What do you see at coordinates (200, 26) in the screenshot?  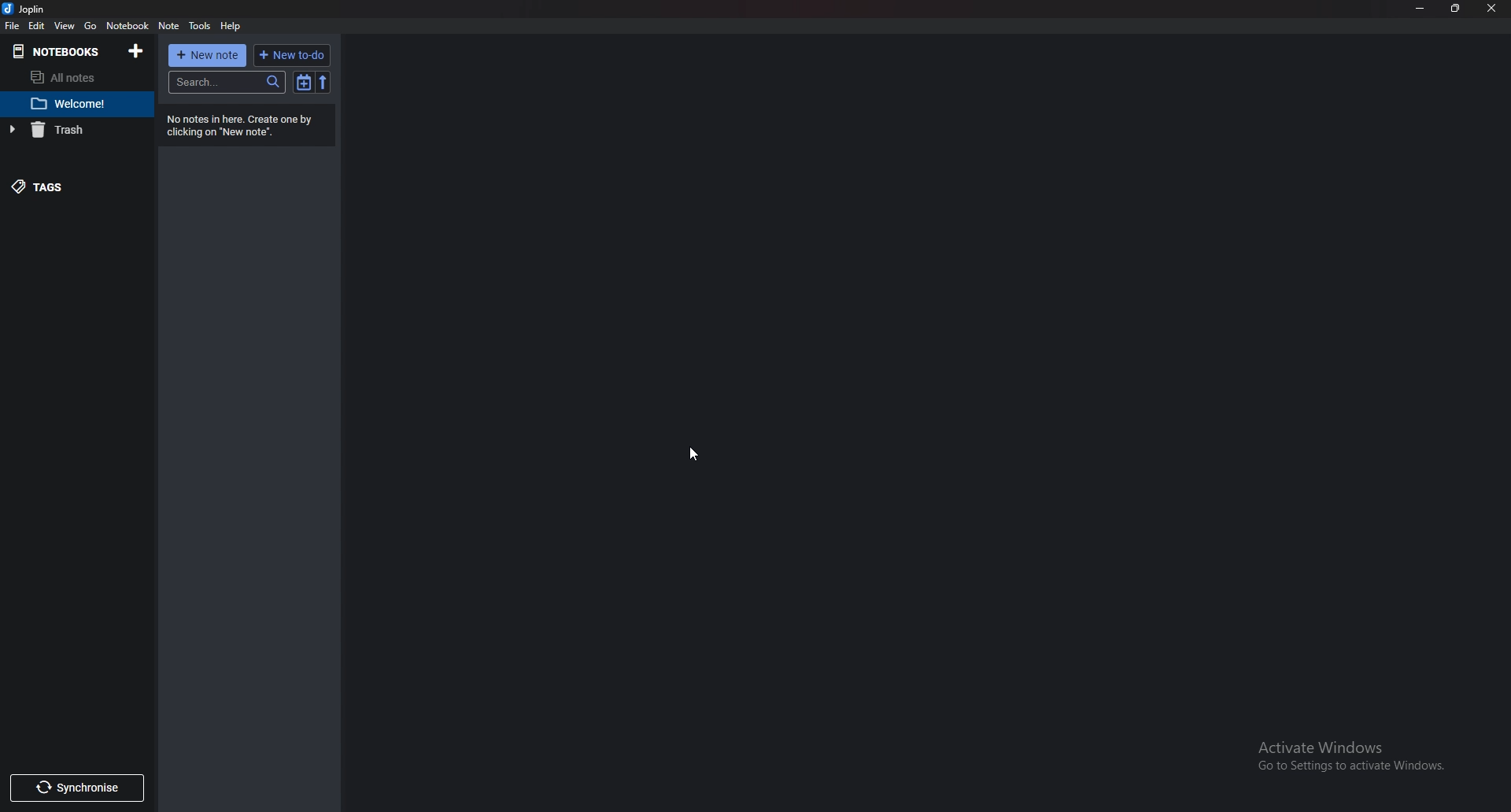 I see `Tools` at bounding box center [200, 26].